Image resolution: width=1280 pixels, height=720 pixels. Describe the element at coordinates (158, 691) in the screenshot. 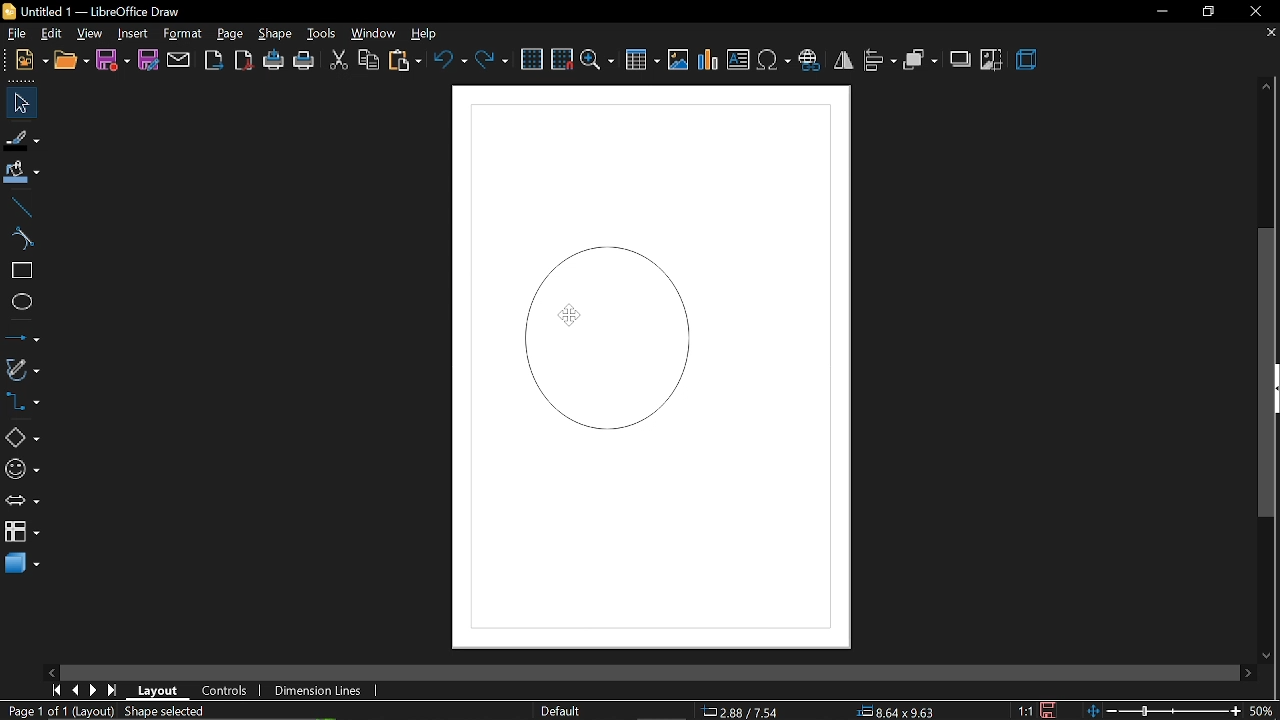

I see `layout` at that location.